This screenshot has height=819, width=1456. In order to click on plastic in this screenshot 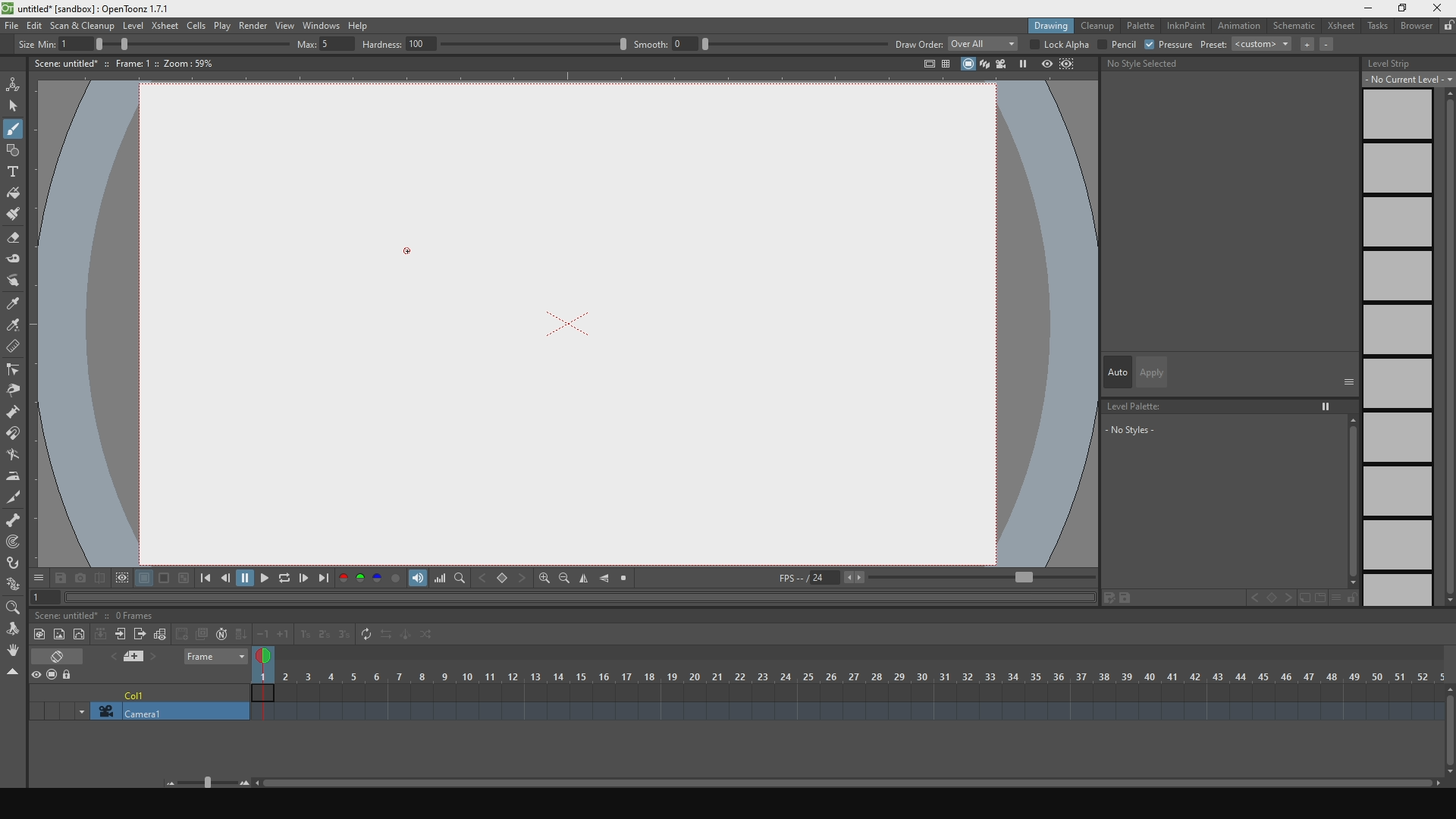, I will do `click(14, 586)`.